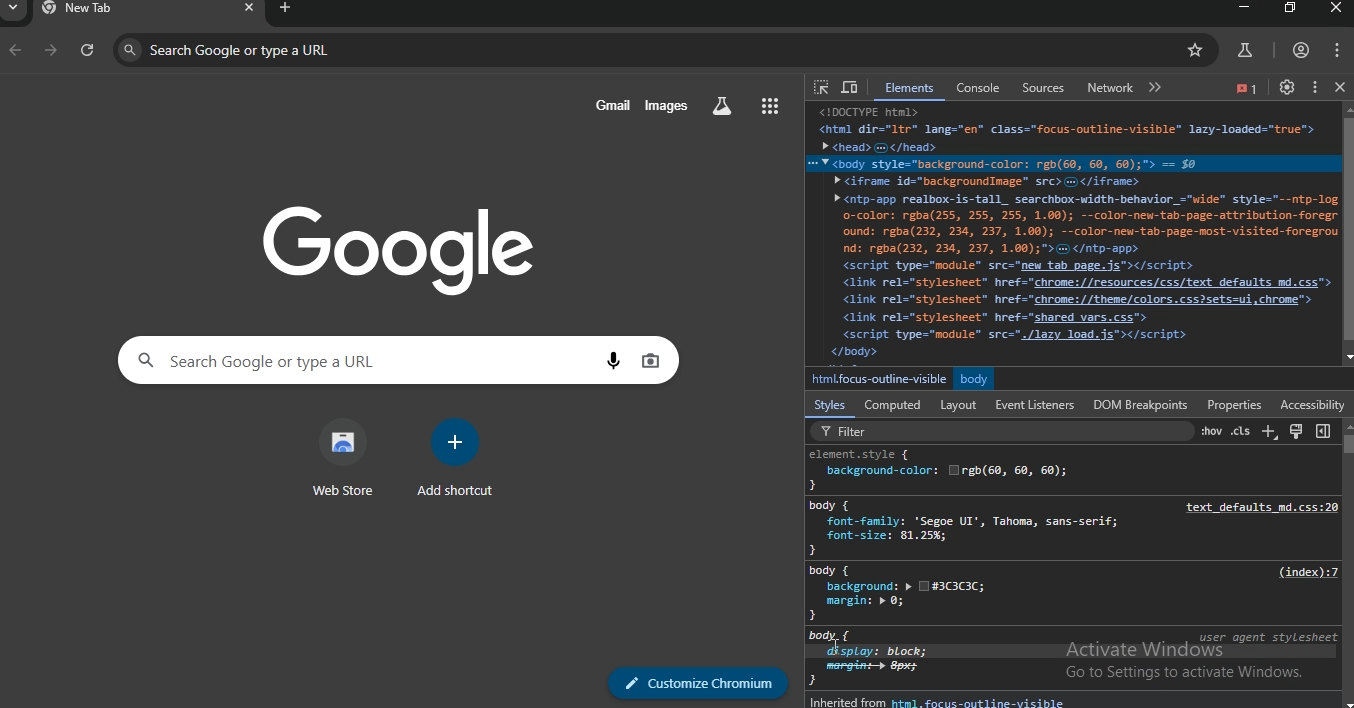  What do you see at coordinates (1049, 88) in the screenshot?
I see `sources` at bounding box center [1049, 88].